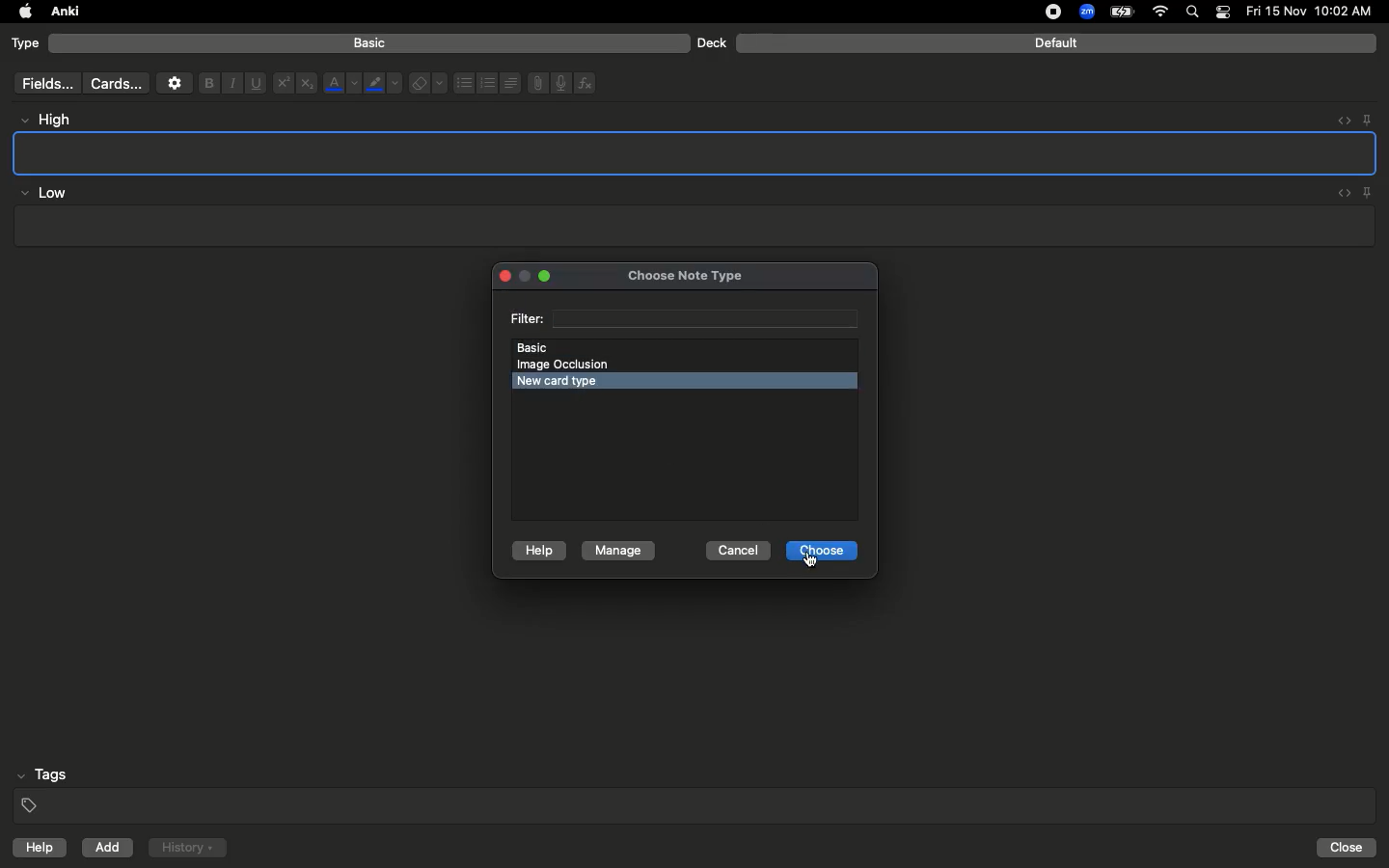 Image resolution: width=1389 pixels, height=868 pixels. What do you see at coordinates (526, 278) in the screenshot?
I see `minimize` at bounding box center [526, 278].